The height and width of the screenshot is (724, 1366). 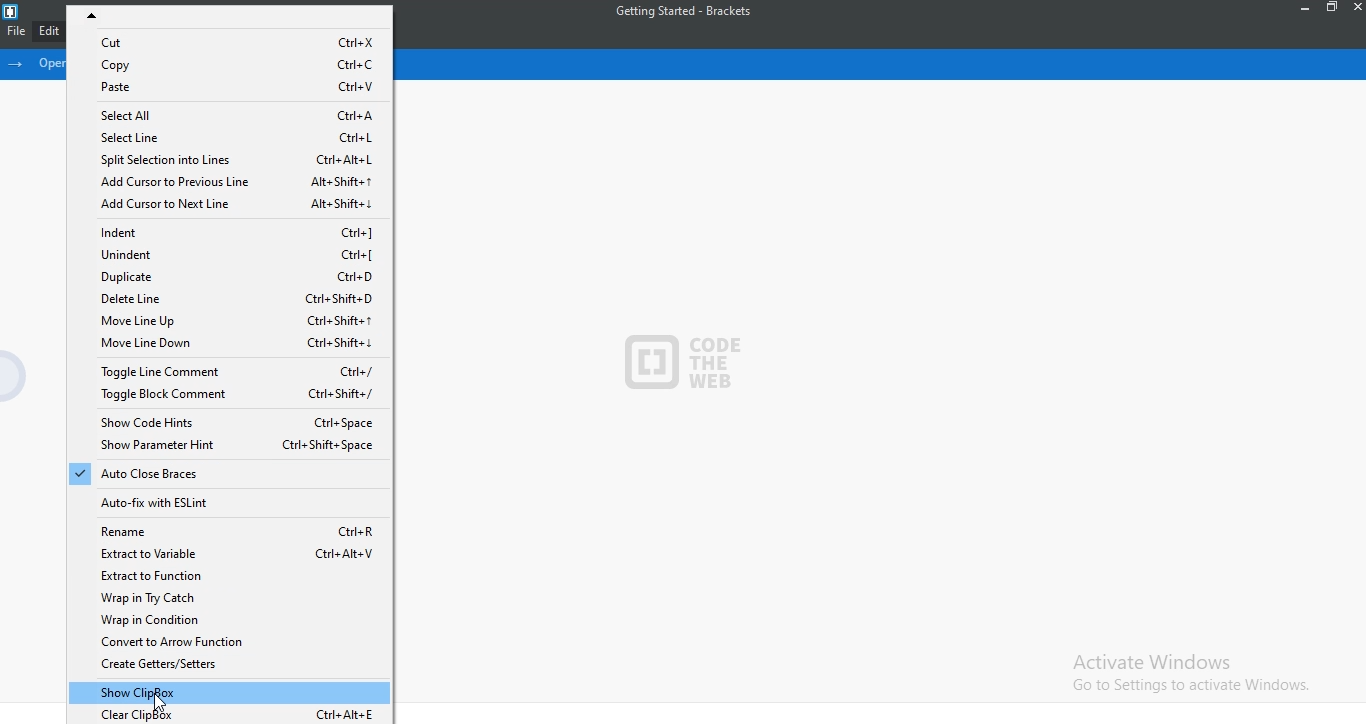 I want to click on Add cursor to previous line, so click(x=229, y=180).